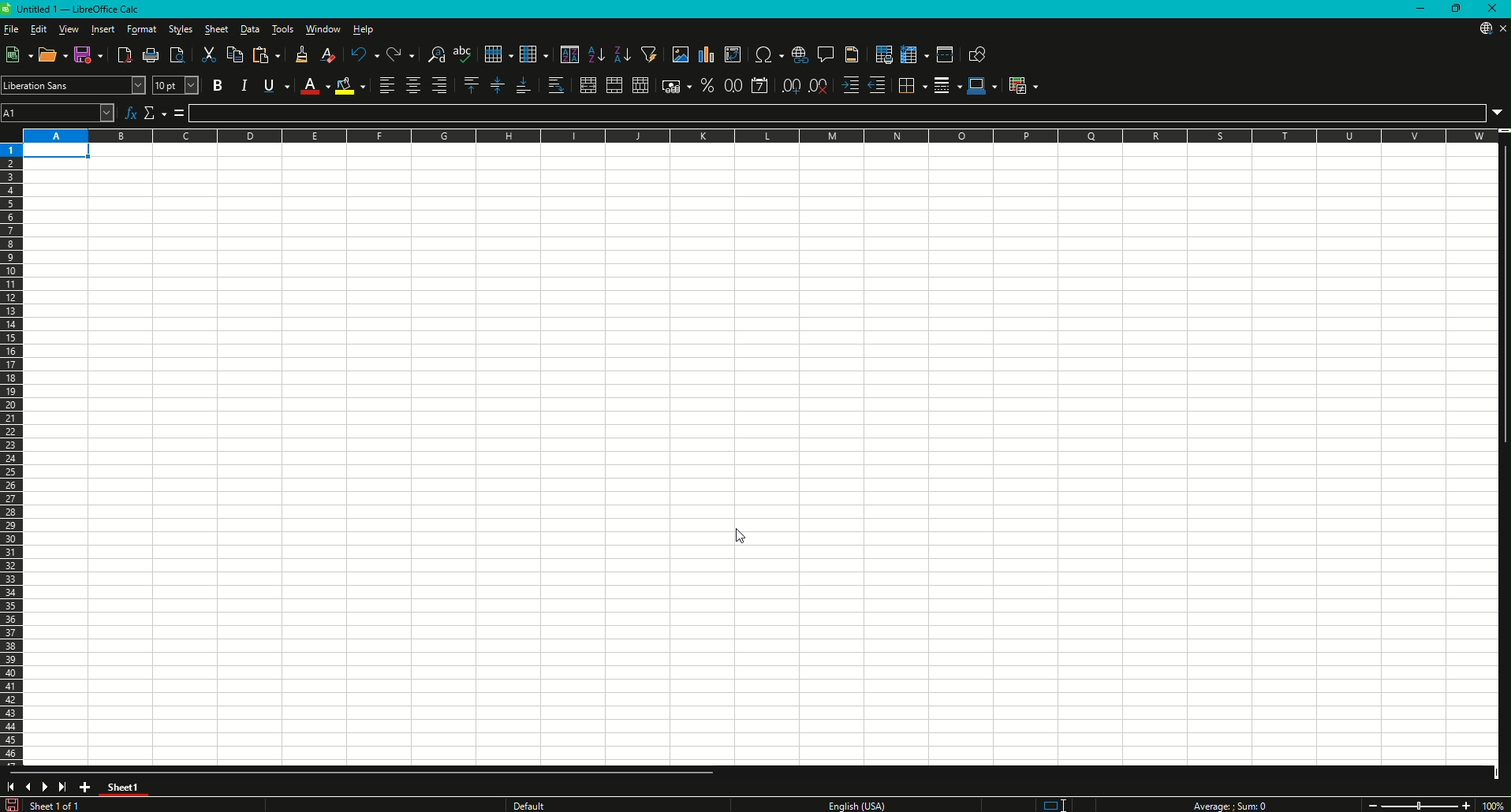 The image size is (1511, 812). I want to click on Zoom slider, so click(1420, 805).